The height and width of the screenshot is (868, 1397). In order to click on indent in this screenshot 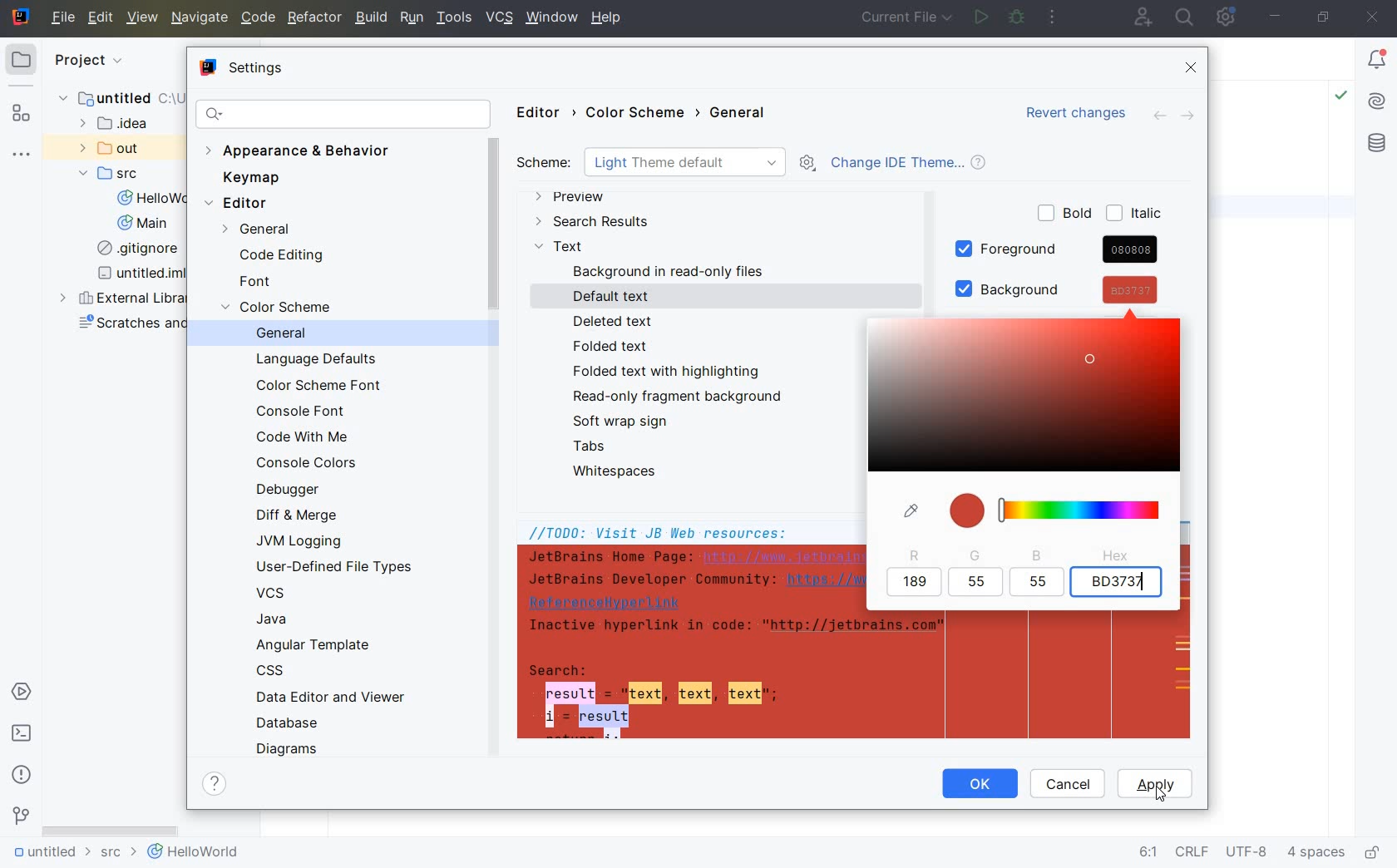, I will do `click(1316, 855)`.